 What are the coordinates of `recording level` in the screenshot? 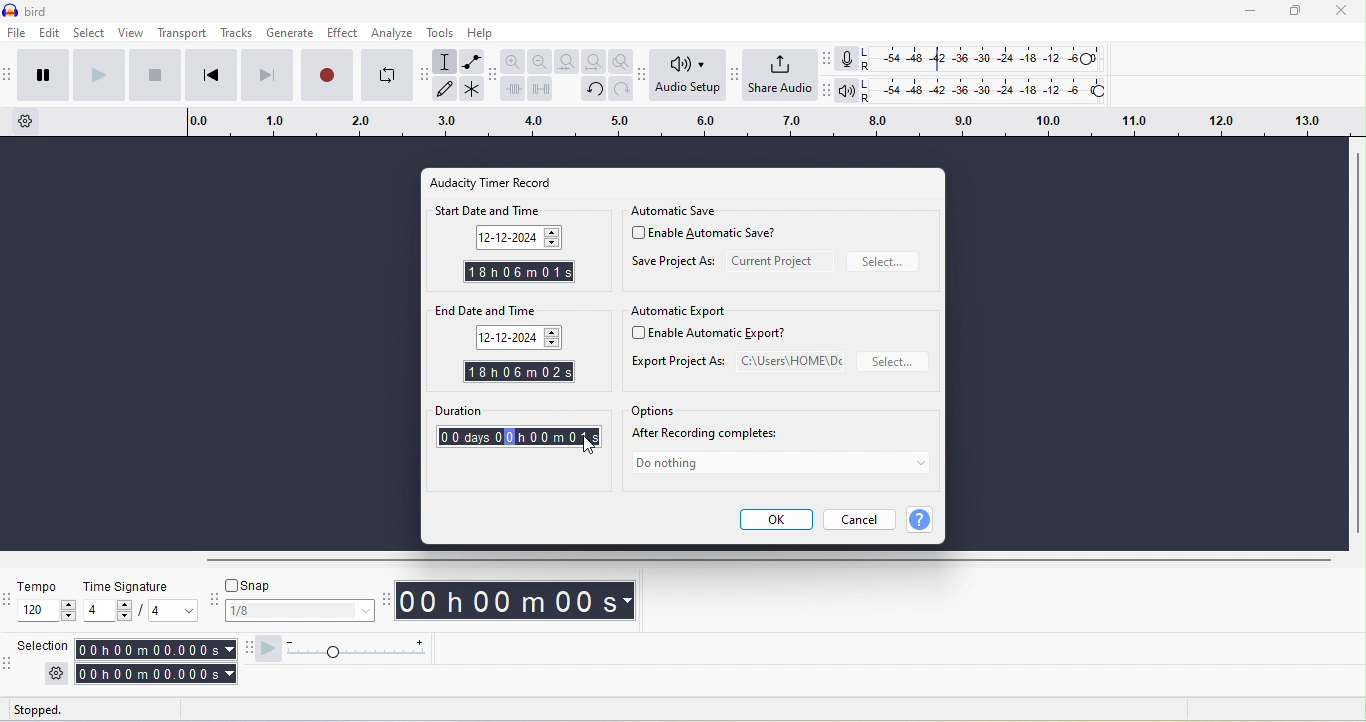 It's located at (991, 58).